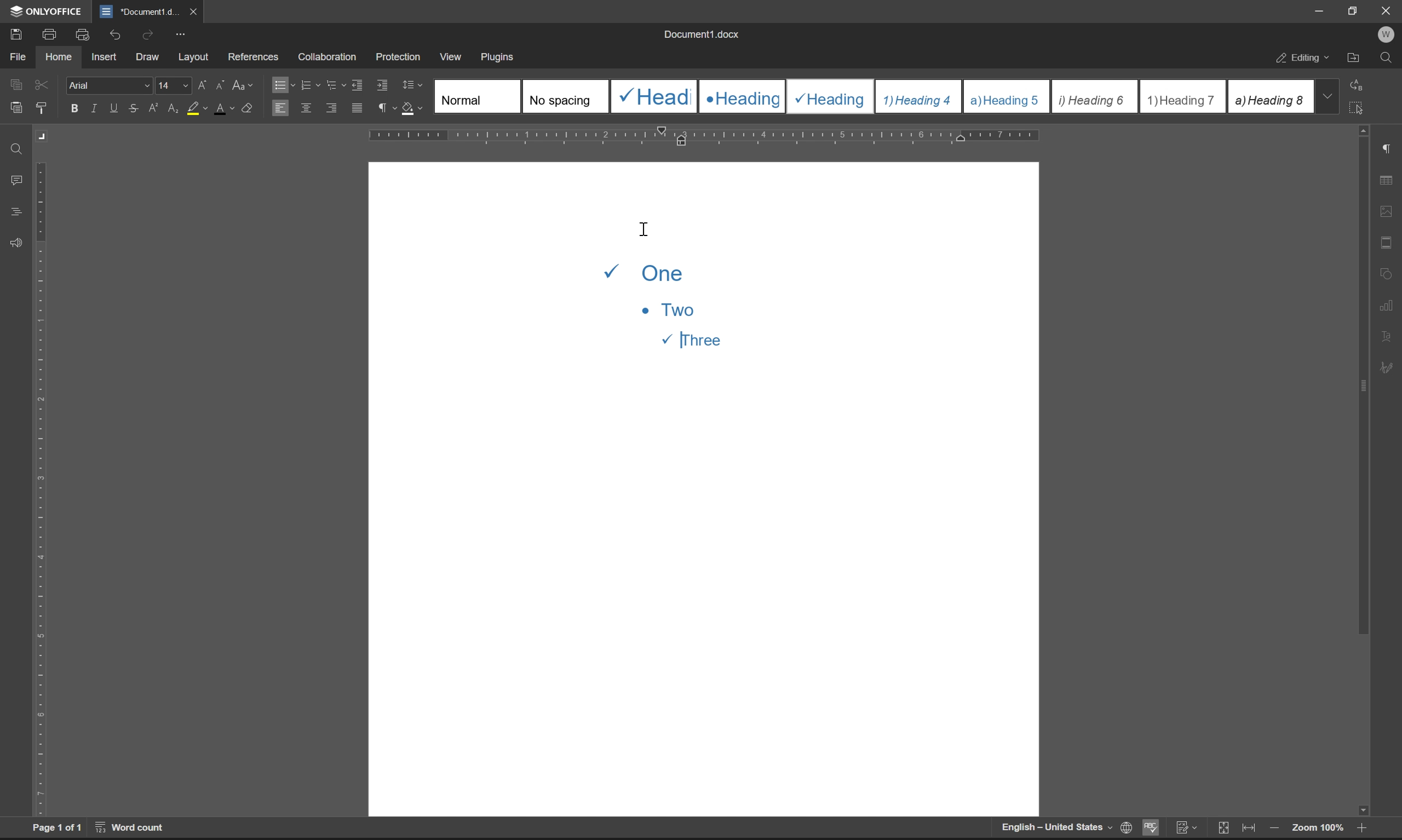  What do you see at coordinates (1386, 181) in the screenshot?
I see `table settings` at bounding box center [1386, 181].